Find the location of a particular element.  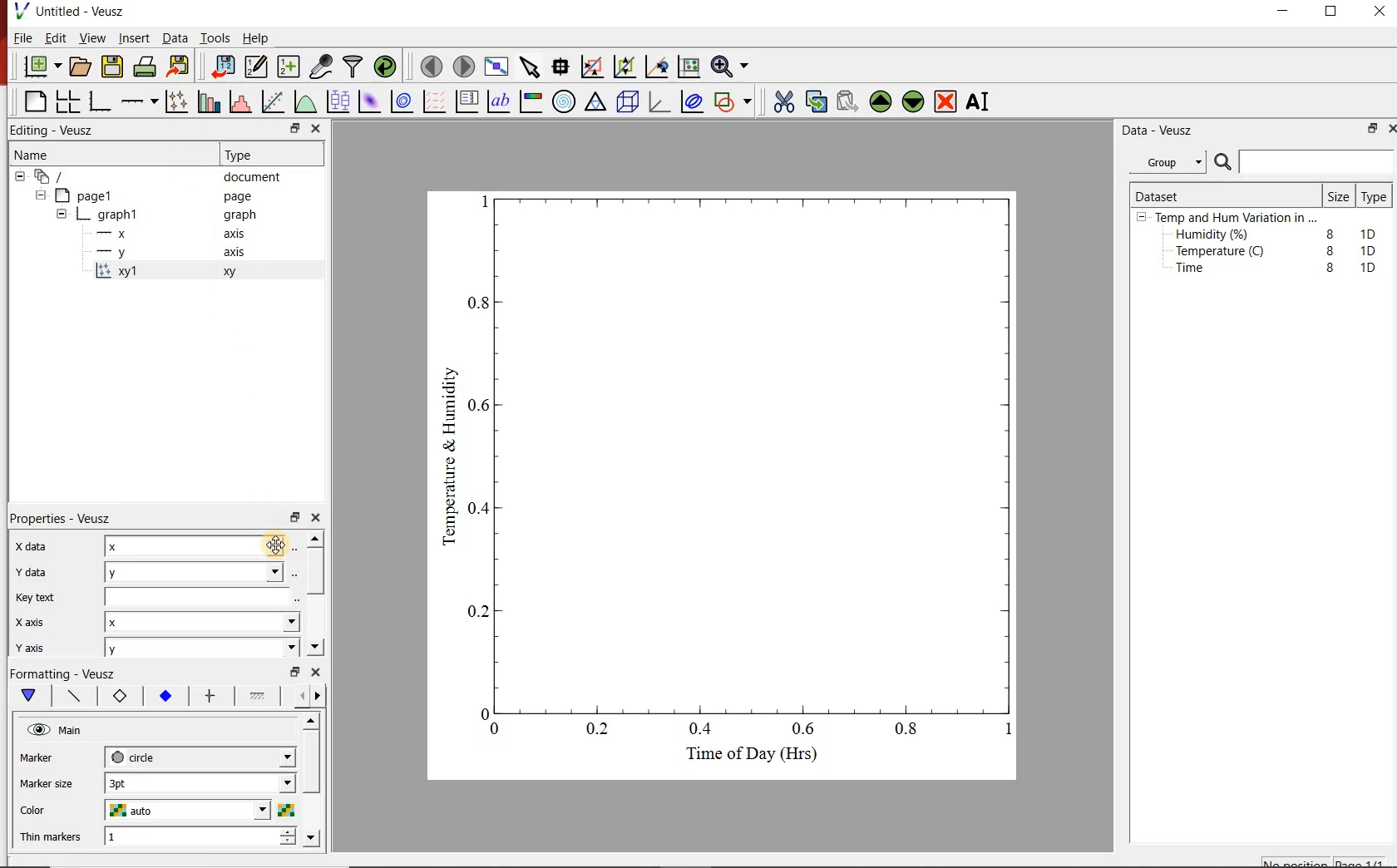

close is located at coordinates (318, 673).